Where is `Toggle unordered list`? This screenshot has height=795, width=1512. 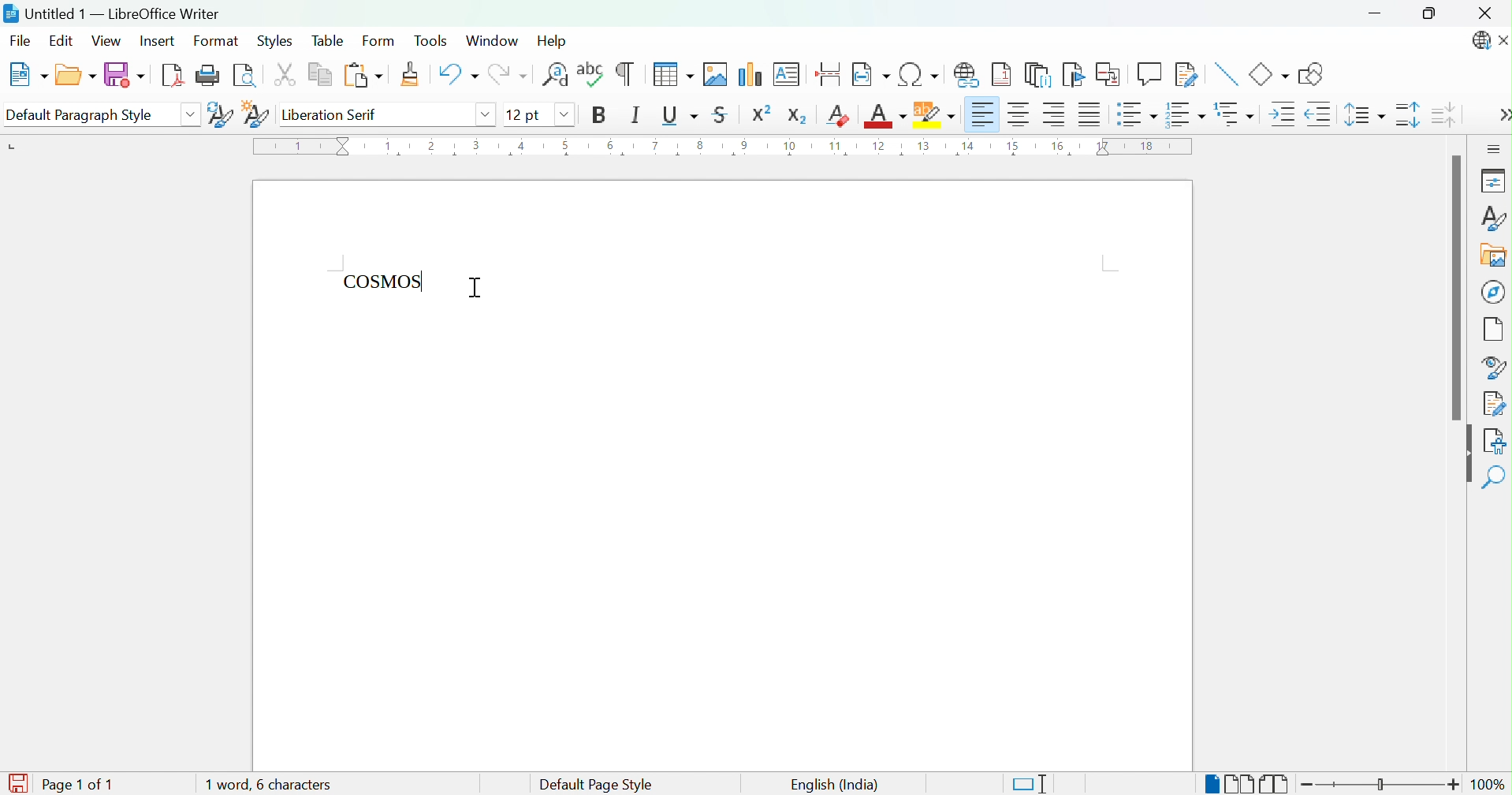
Toggle unordered list is located at coordinates (1136, 116).